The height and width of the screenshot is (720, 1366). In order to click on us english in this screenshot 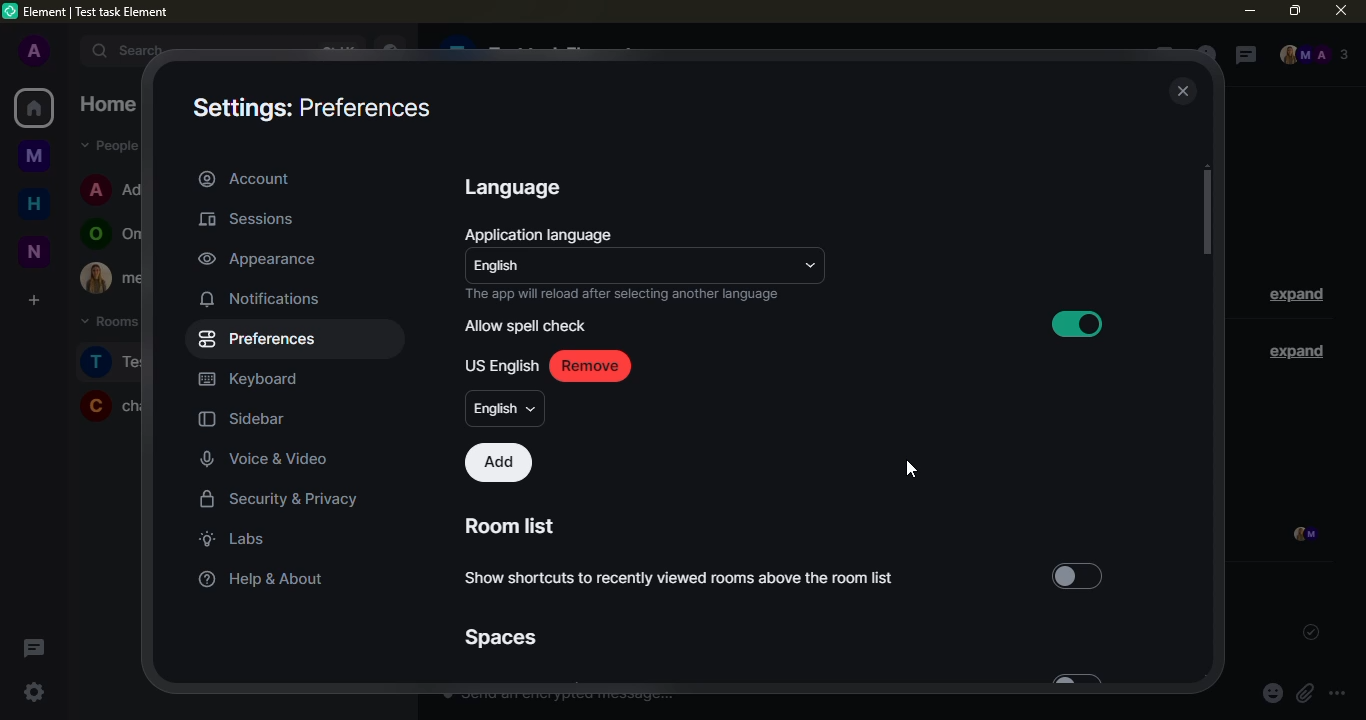, I will do `click(501, 367)`.